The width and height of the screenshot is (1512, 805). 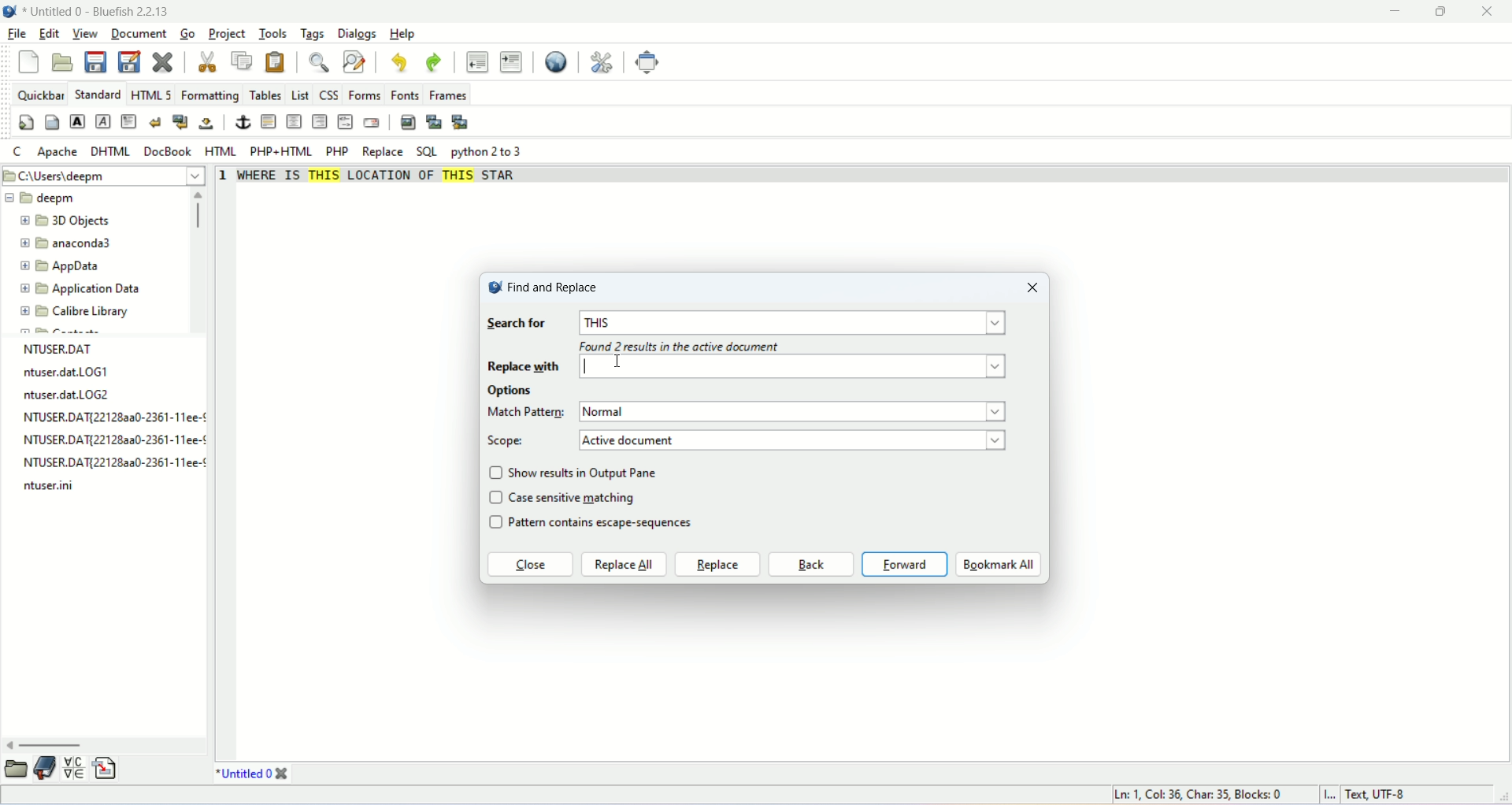 I want to click on Untitled, so click(x=243, y=773).